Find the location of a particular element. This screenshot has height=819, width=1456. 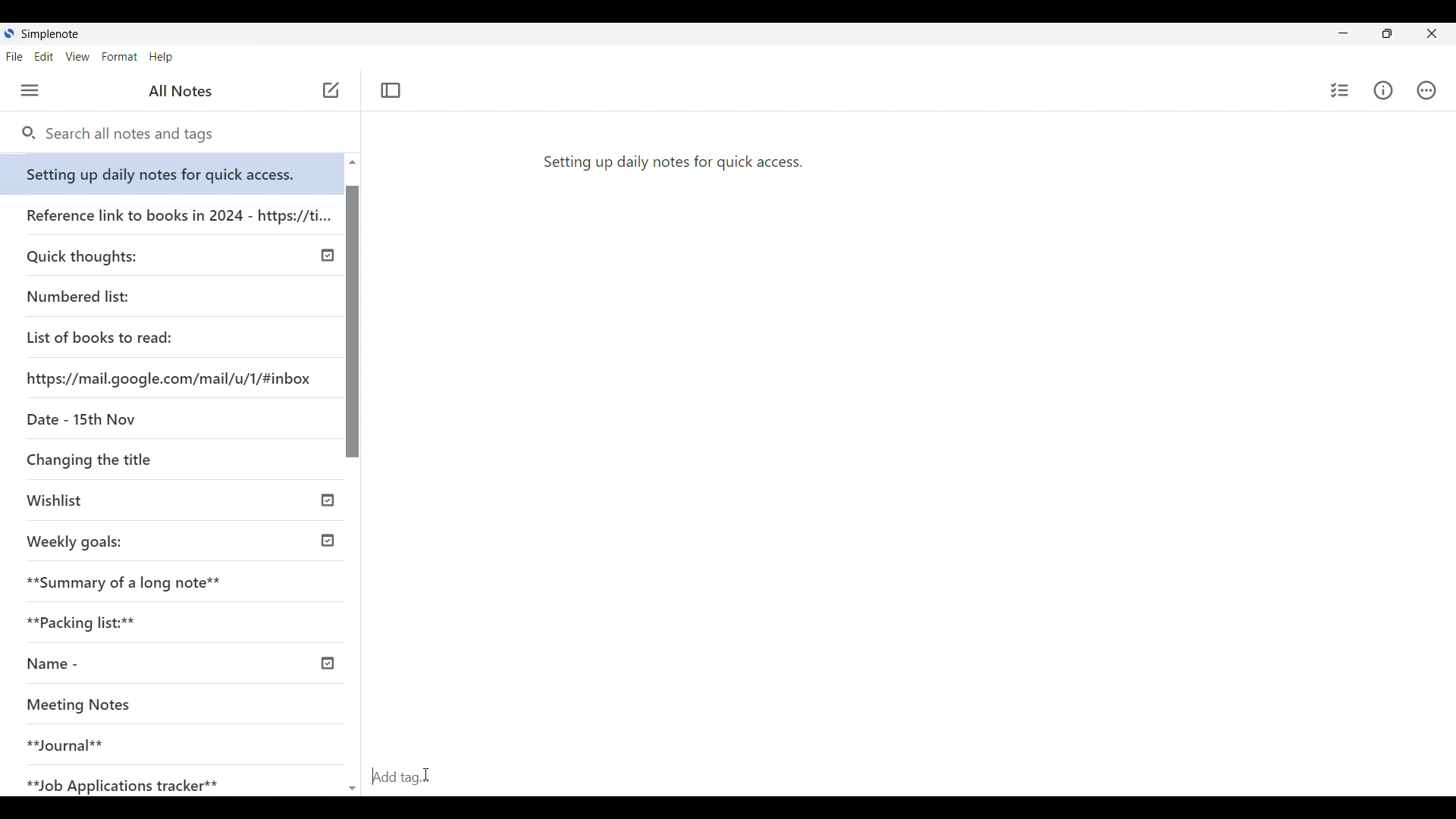

Edit menu is located at coordinates (44, 57).